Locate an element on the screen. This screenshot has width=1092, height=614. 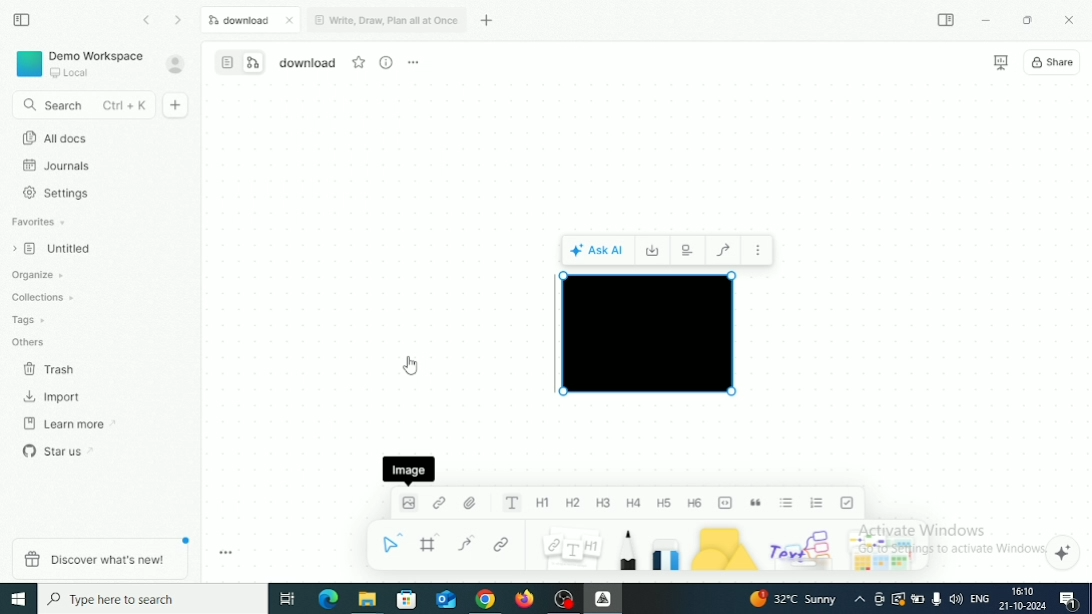
Select is located at coordinates (390, 543).